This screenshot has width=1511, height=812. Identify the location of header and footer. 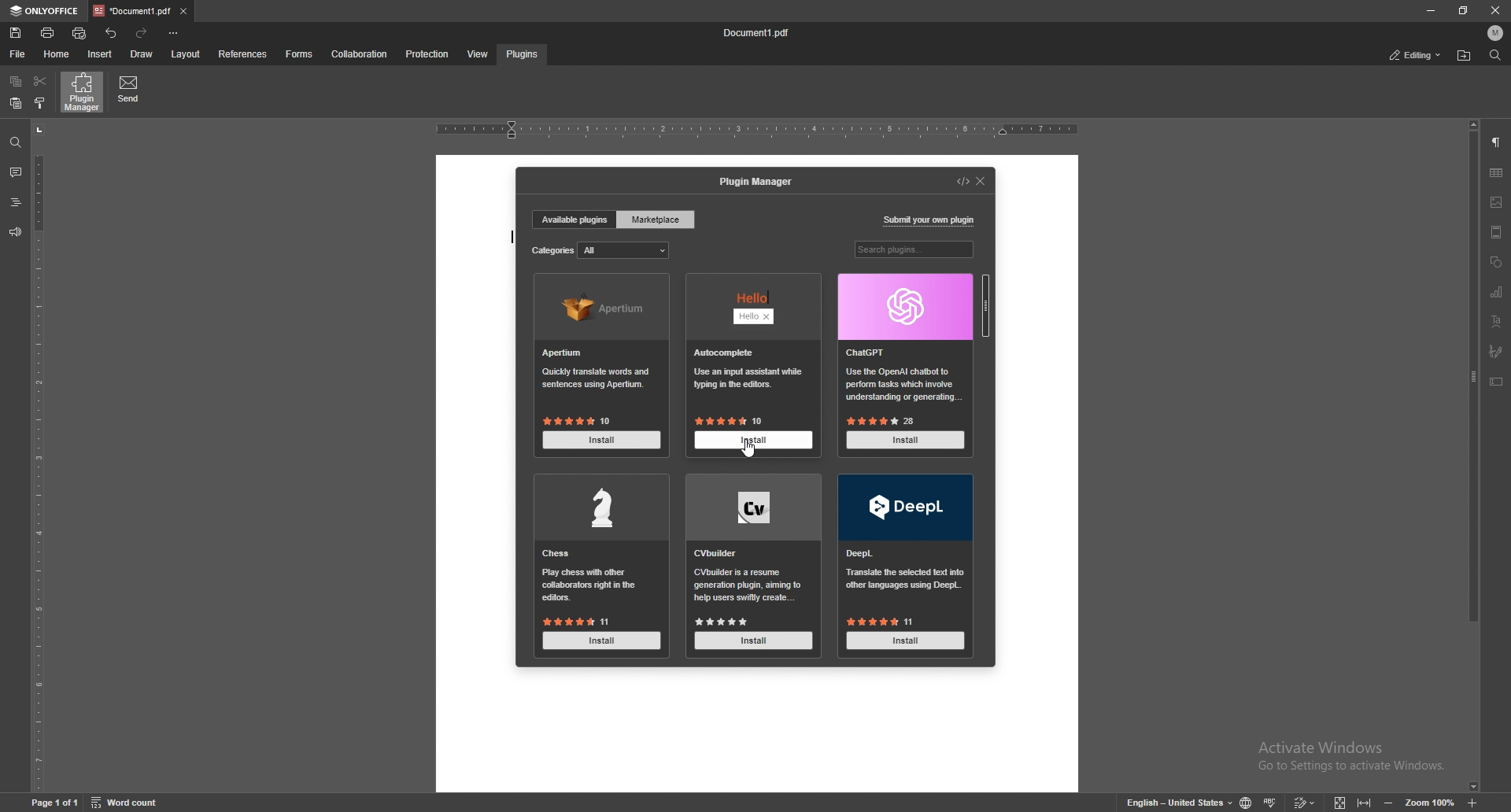
(1498, 231).